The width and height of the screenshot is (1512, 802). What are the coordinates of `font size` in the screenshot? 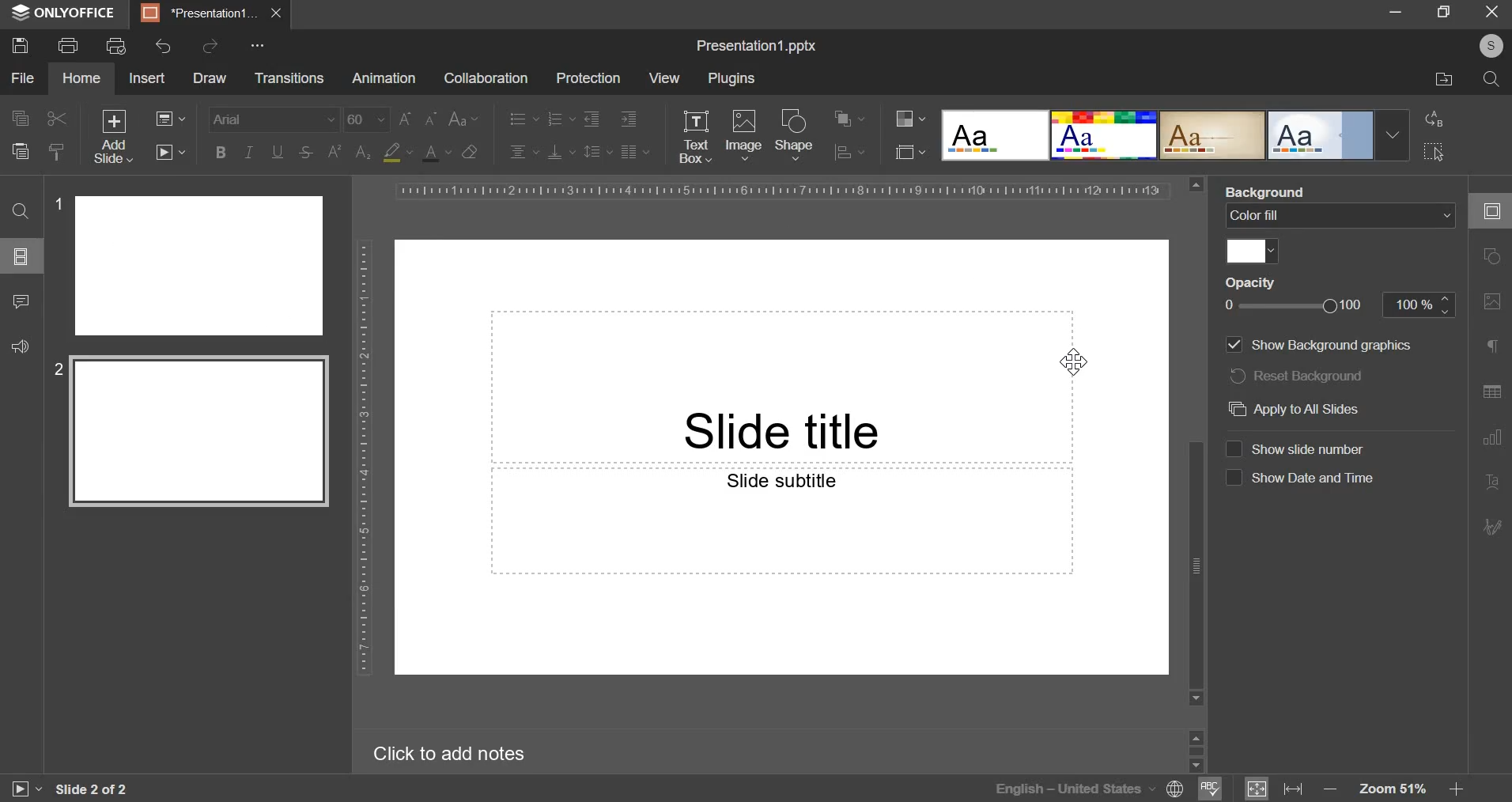 It's located at (391, 119).